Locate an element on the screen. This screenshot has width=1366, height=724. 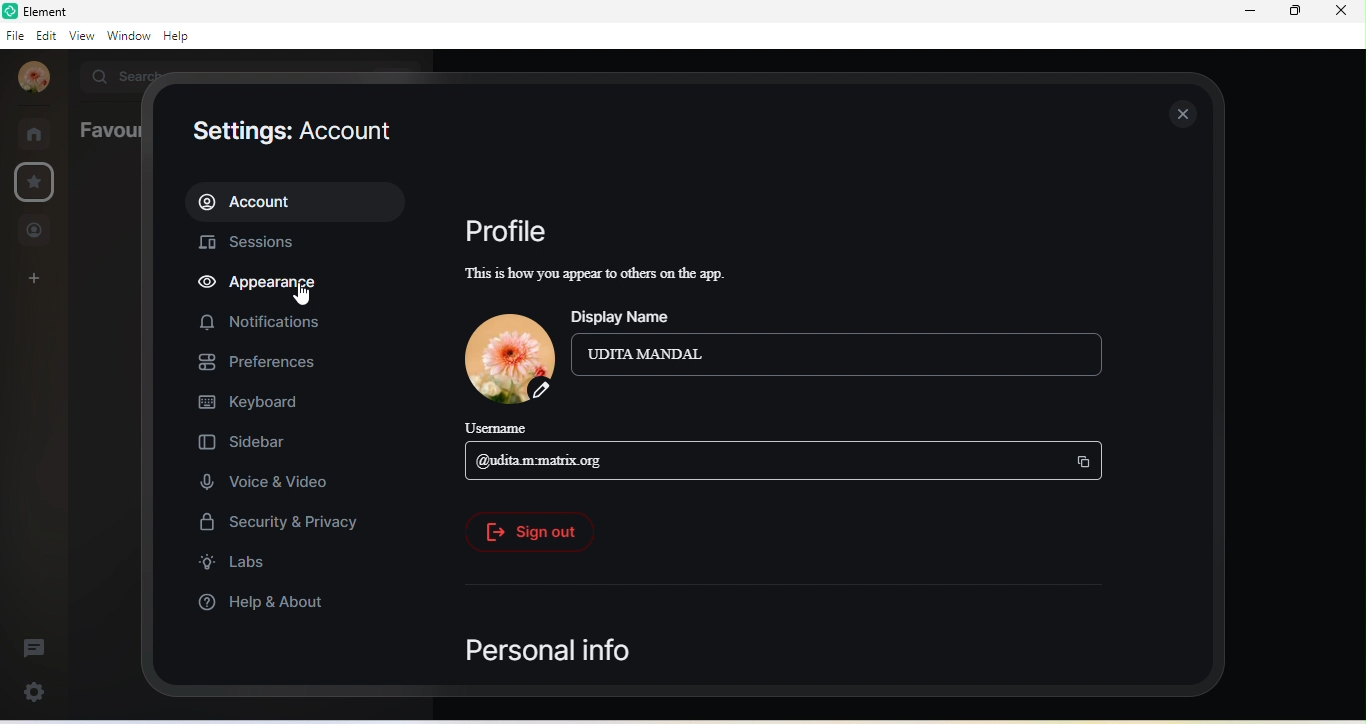
cursor movement is located at coordinates (299, 294).